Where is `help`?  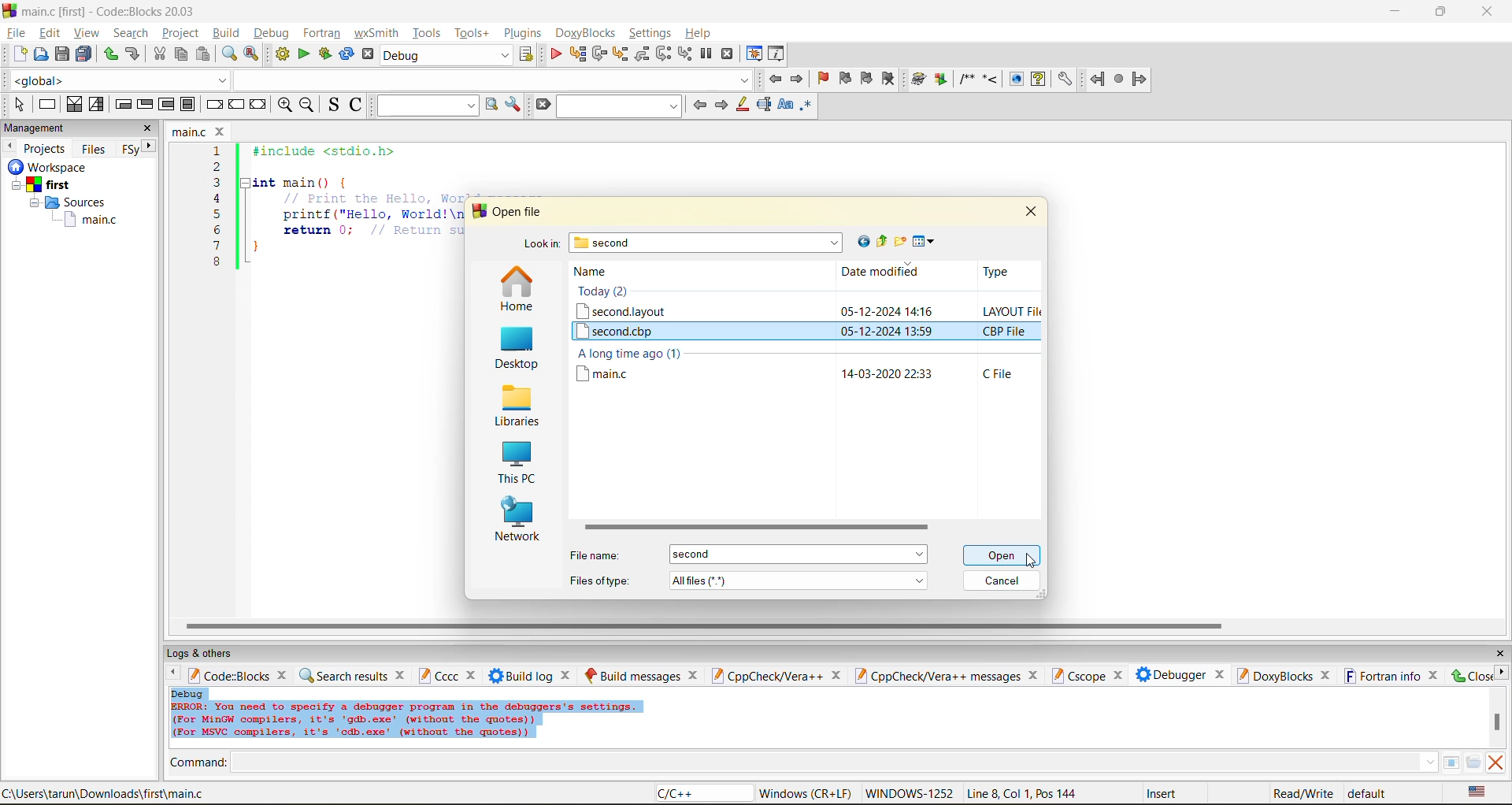
help is located at coordinates (700, 33).